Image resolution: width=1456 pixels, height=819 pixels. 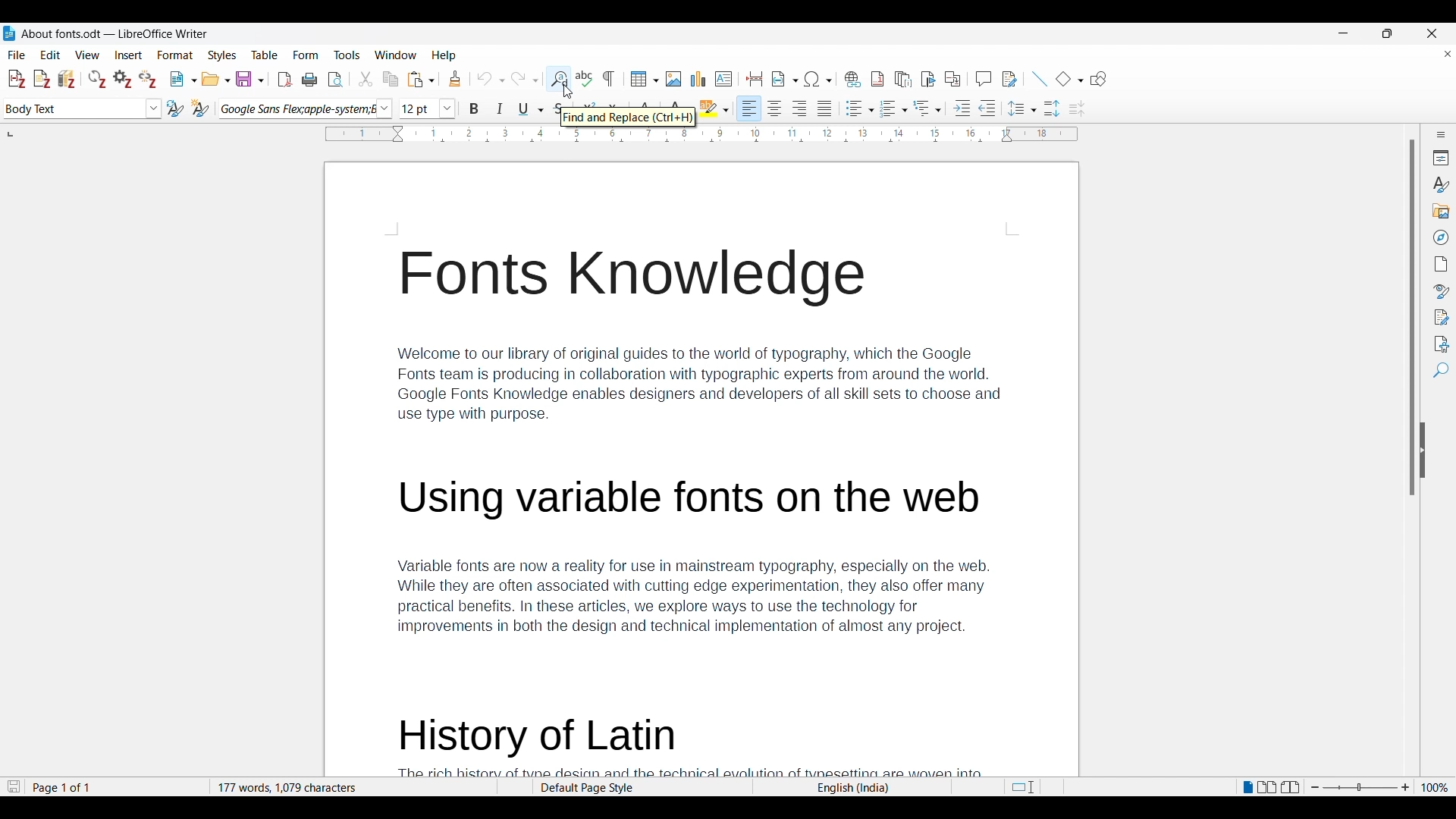 What do you see at coordinates (1441, 134) in the screenshot?
I see `Sidebar settings` at bounding box center [1441, 134].